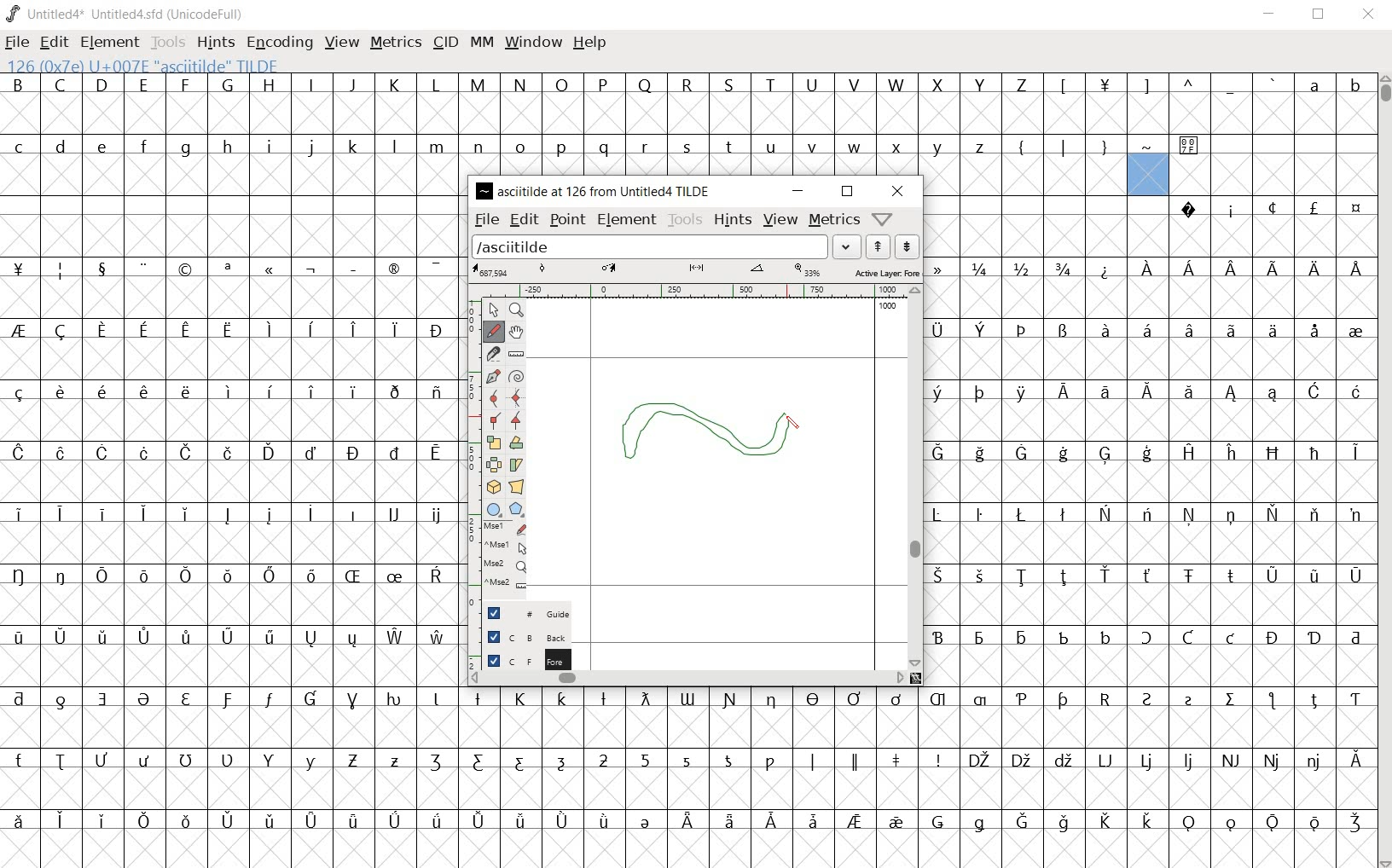 The width and height of the screenshot is (1392, 868). I want to click on hints, so click(730, 222).